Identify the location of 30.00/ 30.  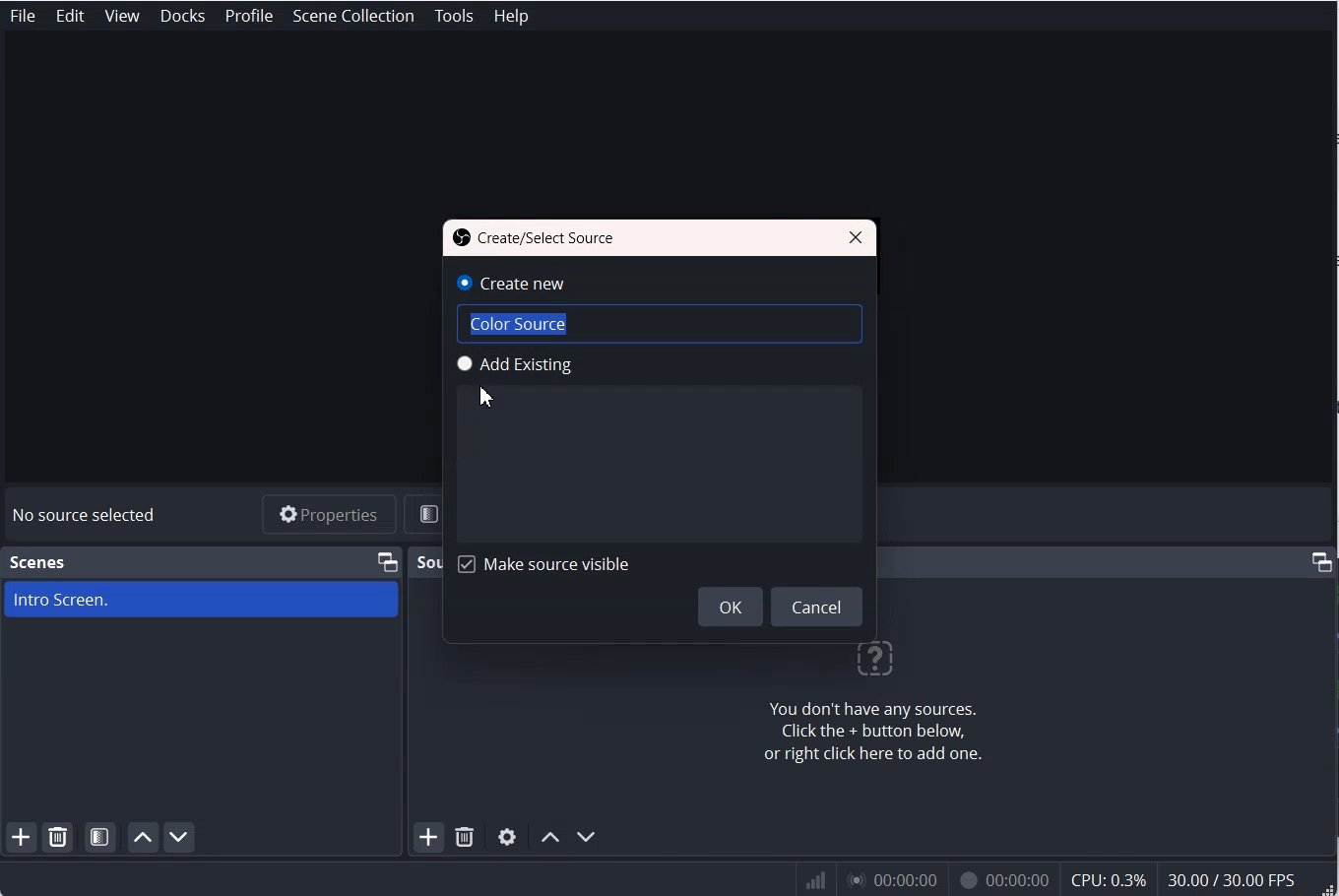
(1235, 881).